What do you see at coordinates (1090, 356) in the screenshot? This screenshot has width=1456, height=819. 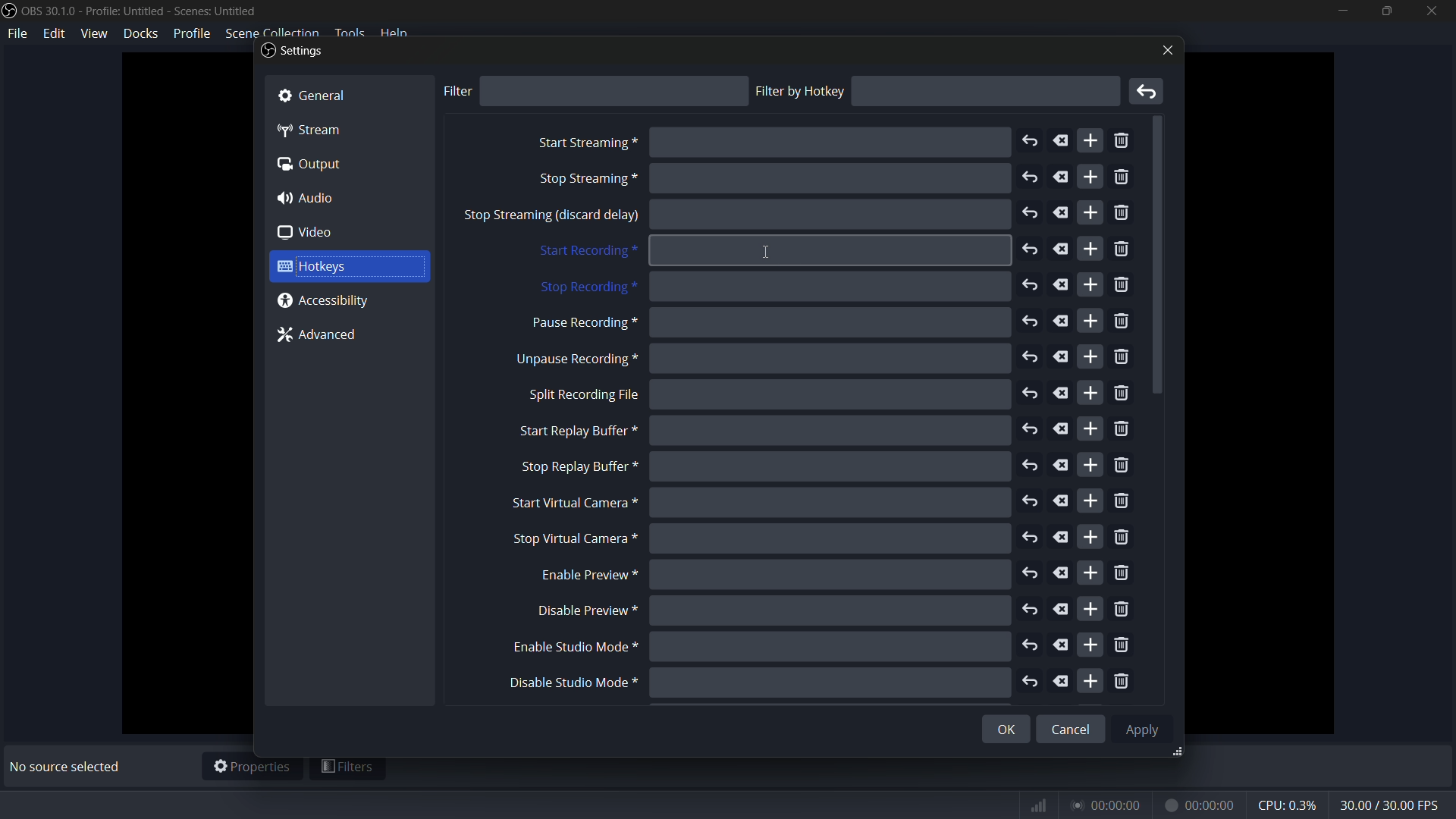 I see `add more` at bounding box center [1090, 356].